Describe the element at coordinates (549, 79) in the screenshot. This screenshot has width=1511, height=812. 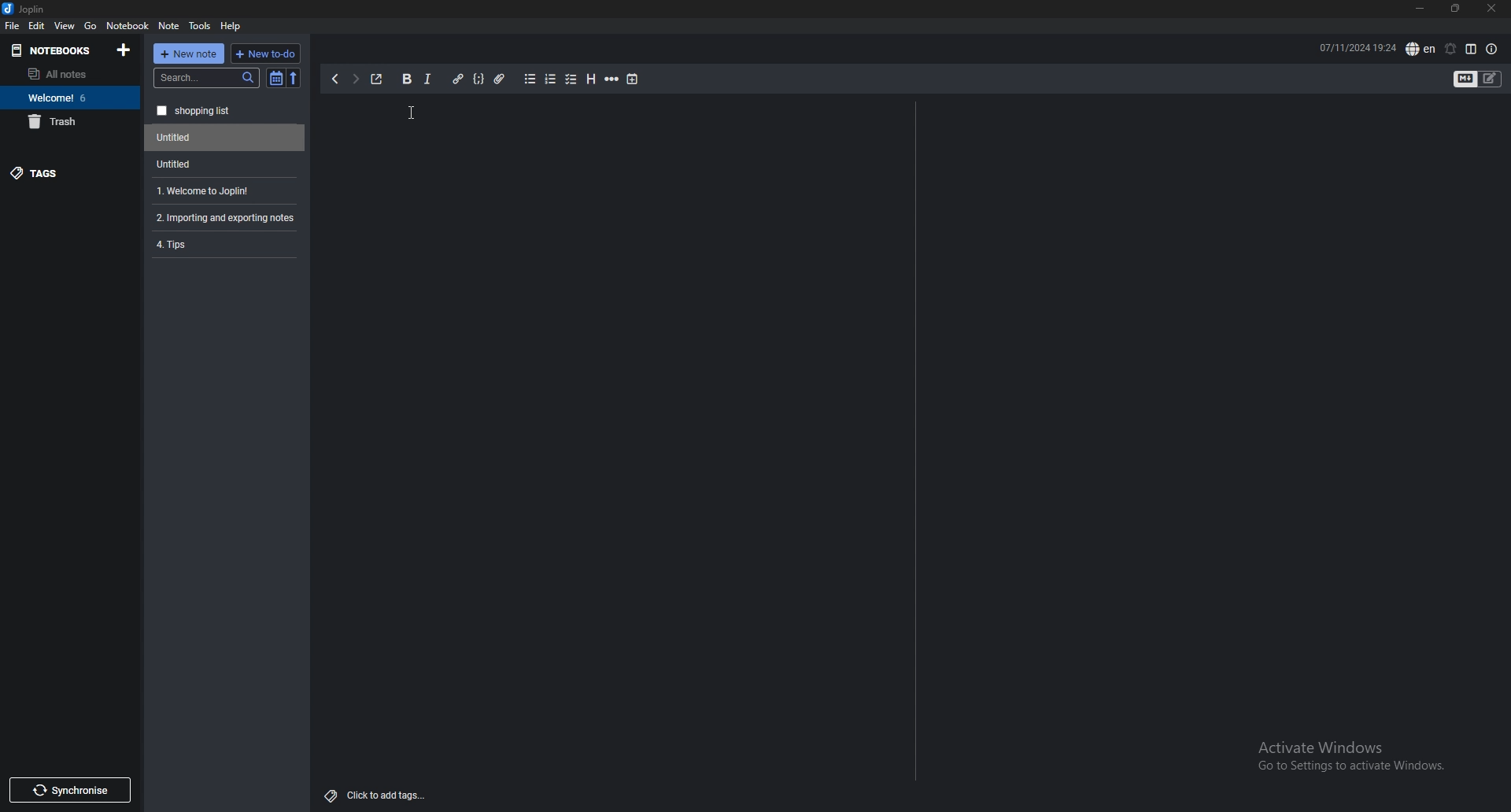
I see `numbered list` at that location.